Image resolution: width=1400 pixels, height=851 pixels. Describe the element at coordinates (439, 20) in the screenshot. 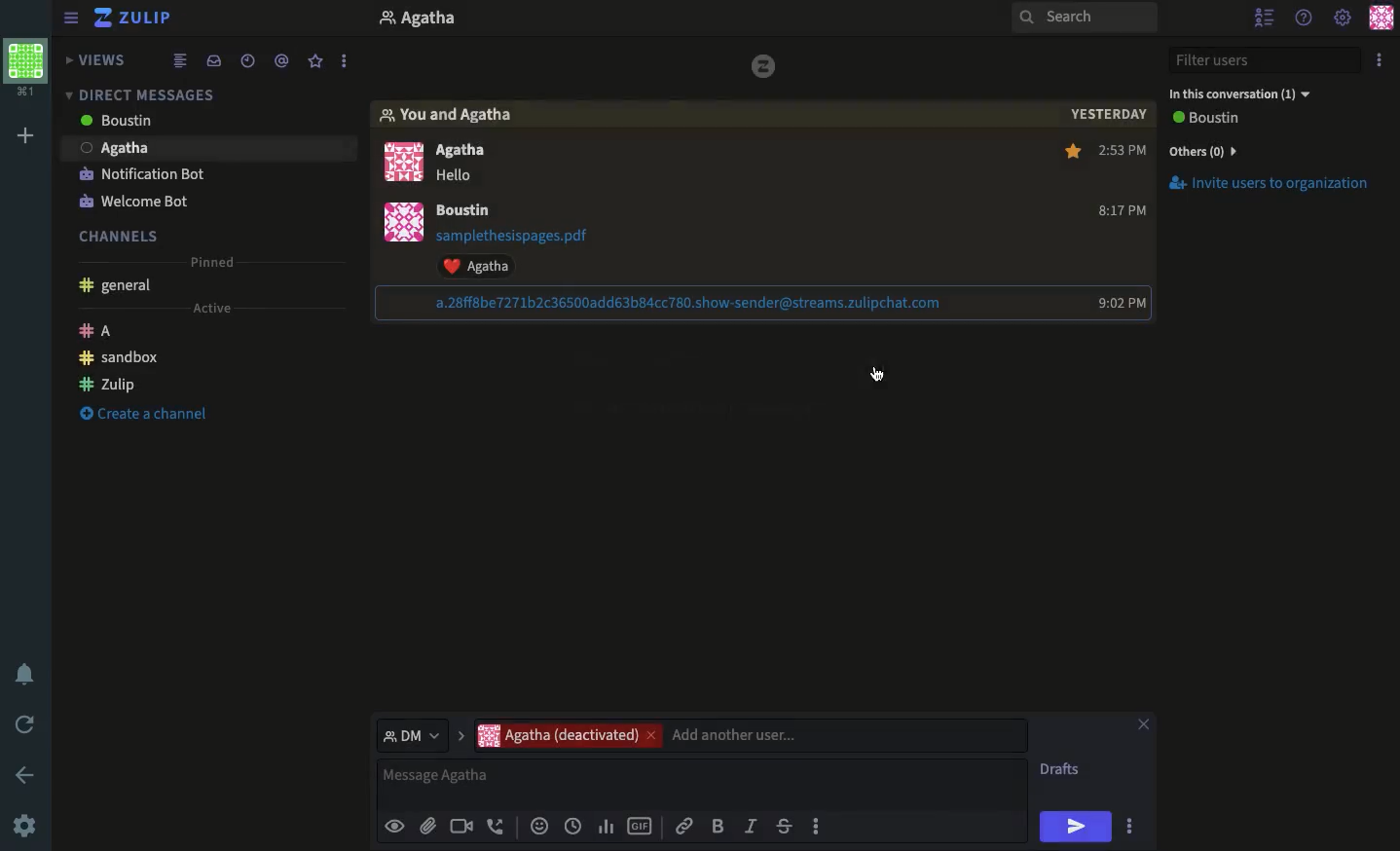

I see `User` at that location.